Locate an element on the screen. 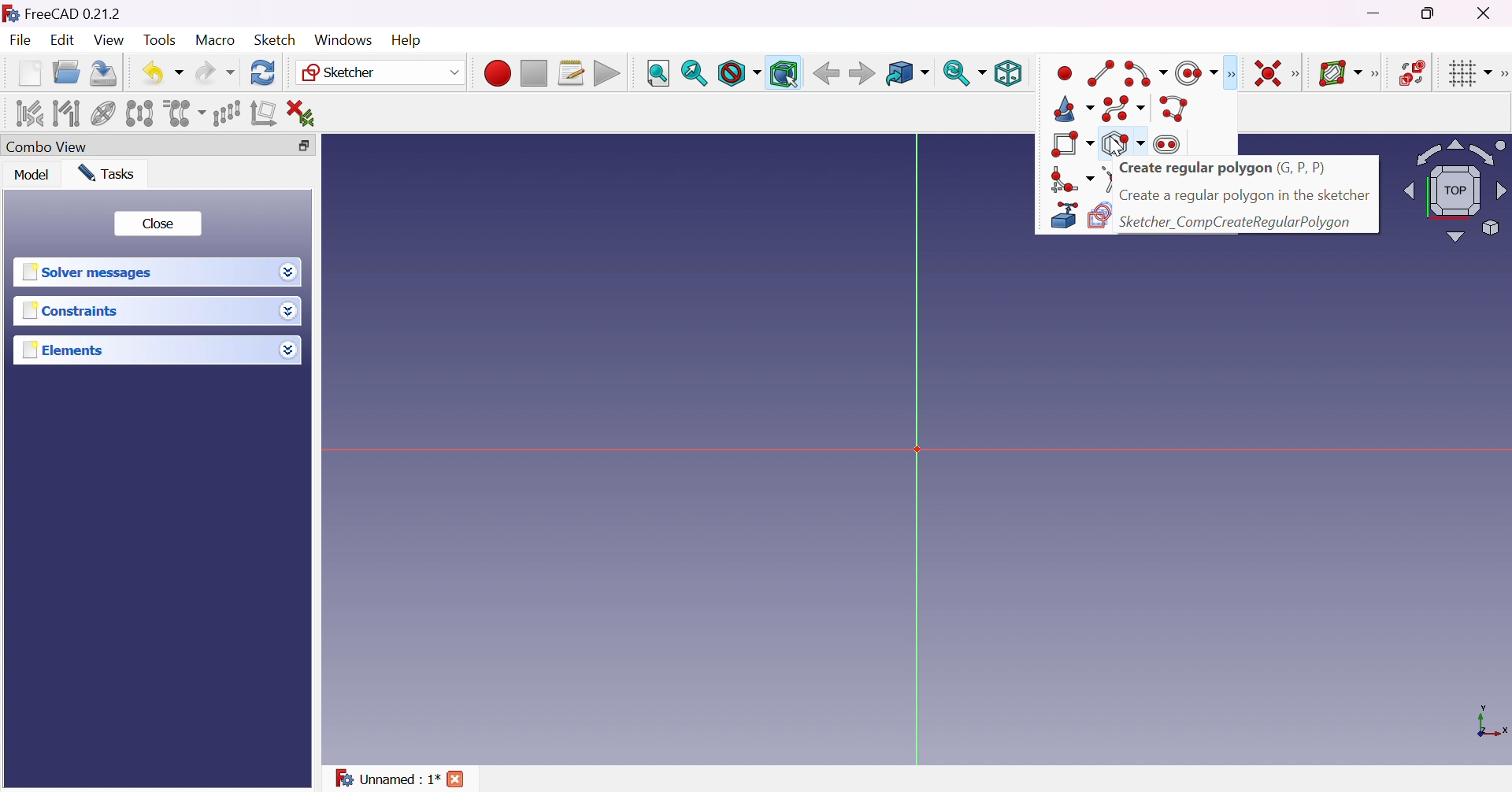 The image size is (1512, 792). Leave sketch is located at coordinates (1136, 73).